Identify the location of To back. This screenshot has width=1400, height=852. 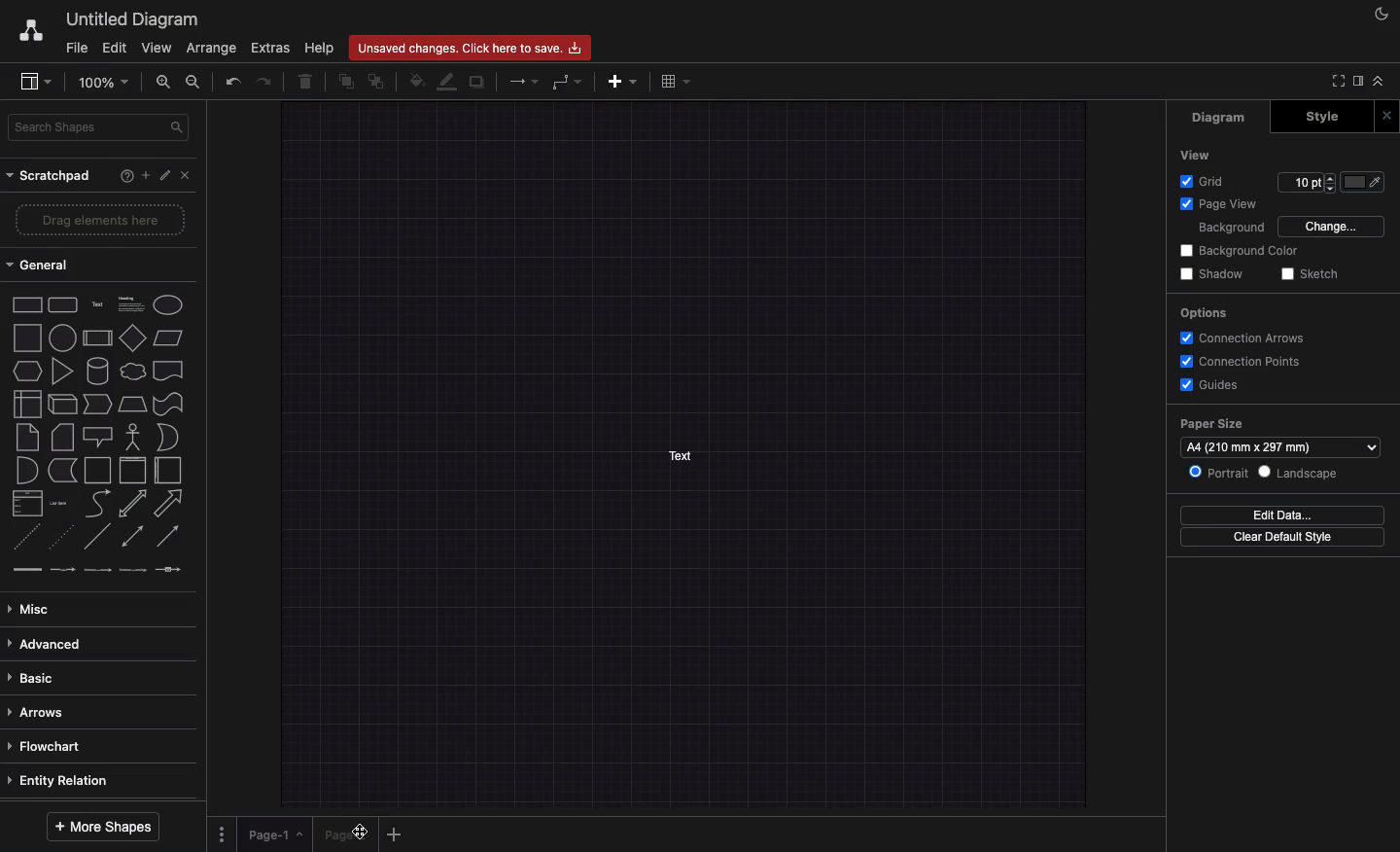
(377, 83).